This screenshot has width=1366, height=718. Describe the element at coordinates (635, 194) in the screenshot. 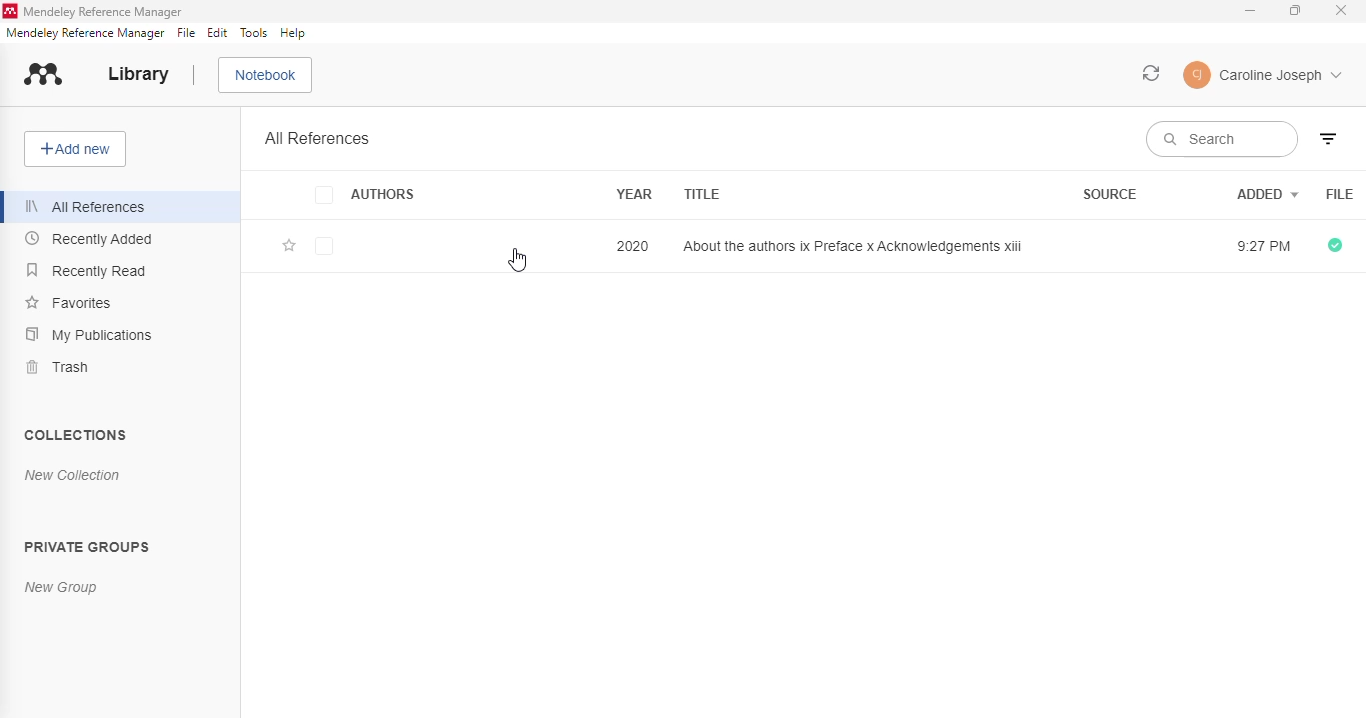

I see `year` at that location.